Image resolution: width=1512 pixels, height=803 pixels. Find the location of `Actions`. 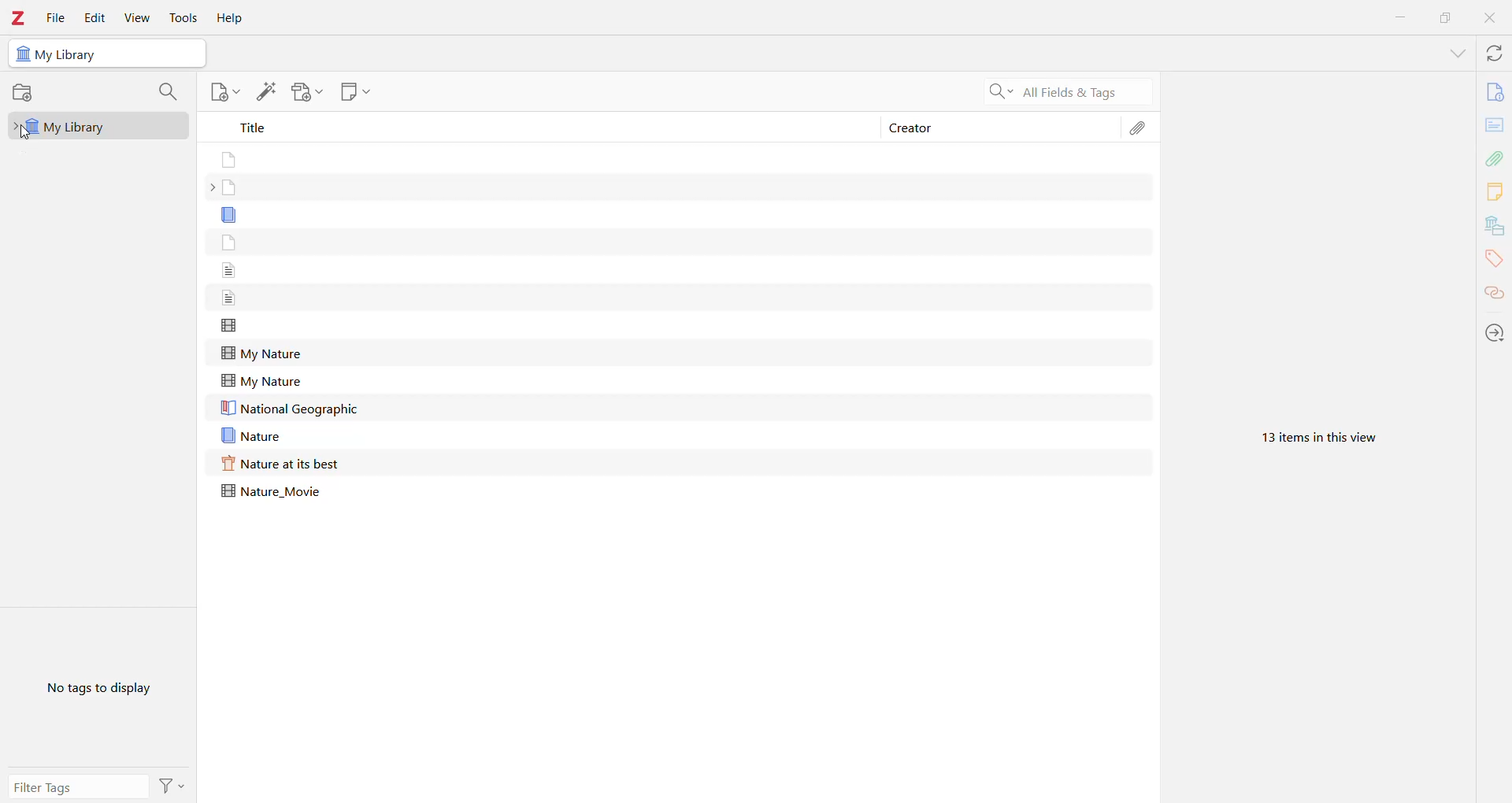

Actions is located at coordinates (174, 785).